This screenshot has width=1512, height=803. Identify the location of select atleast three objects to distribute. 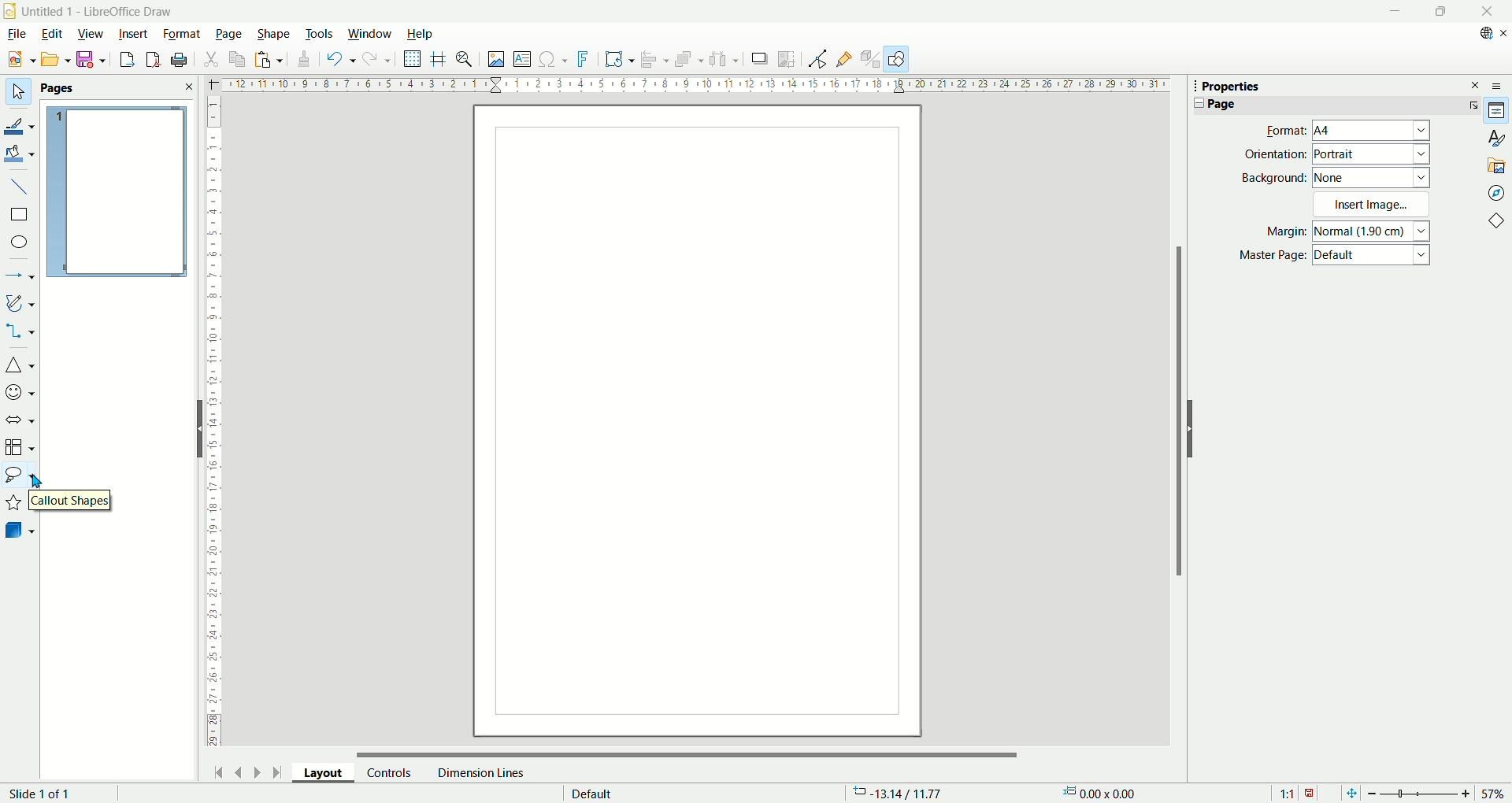
(724, 59).